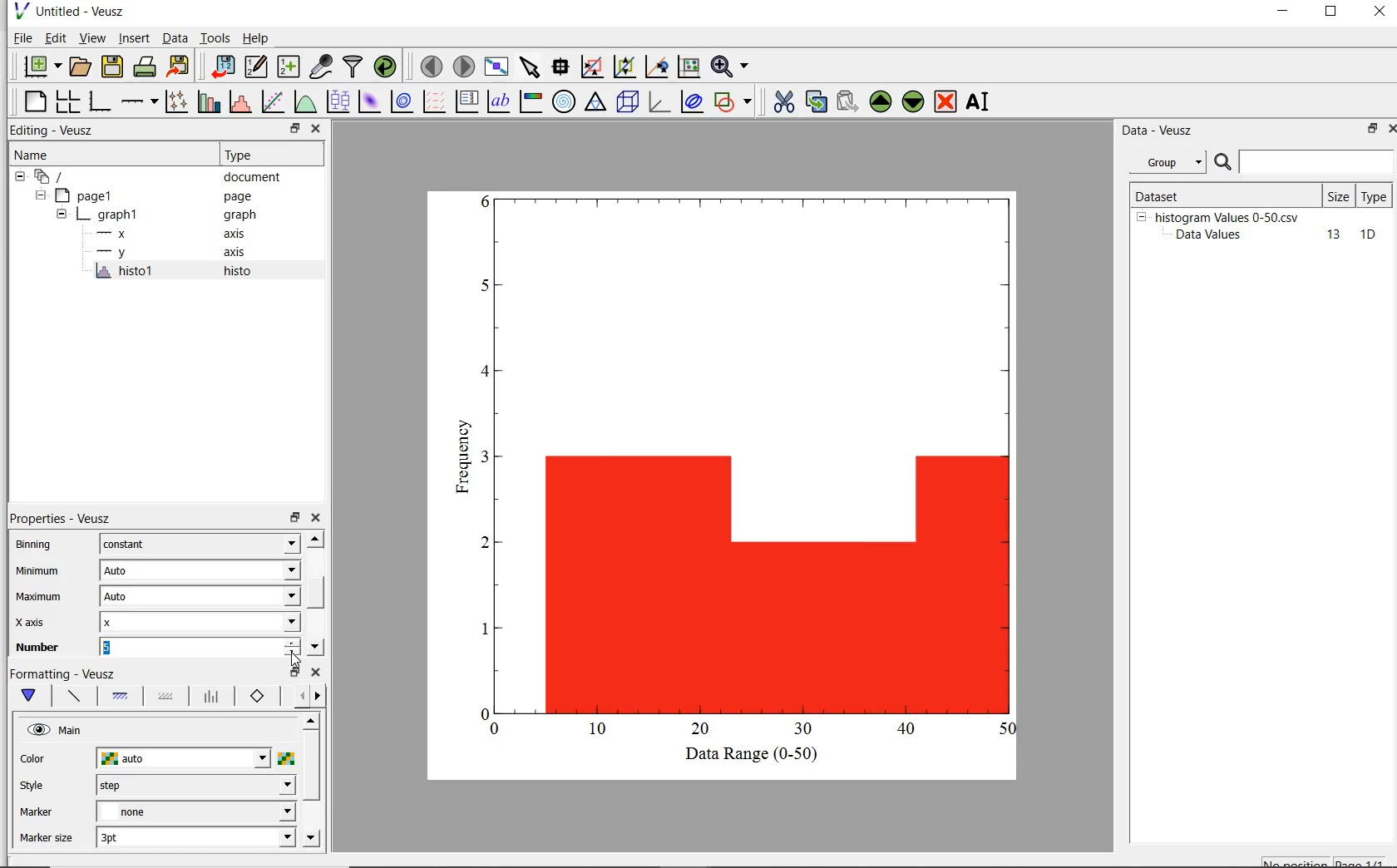 Image resolution: width=1397 pixels, height=868 pixels. What do you see at coordinates (258, 697) in the screenshot?
I see `marker border` at bounding box center [258, 697].